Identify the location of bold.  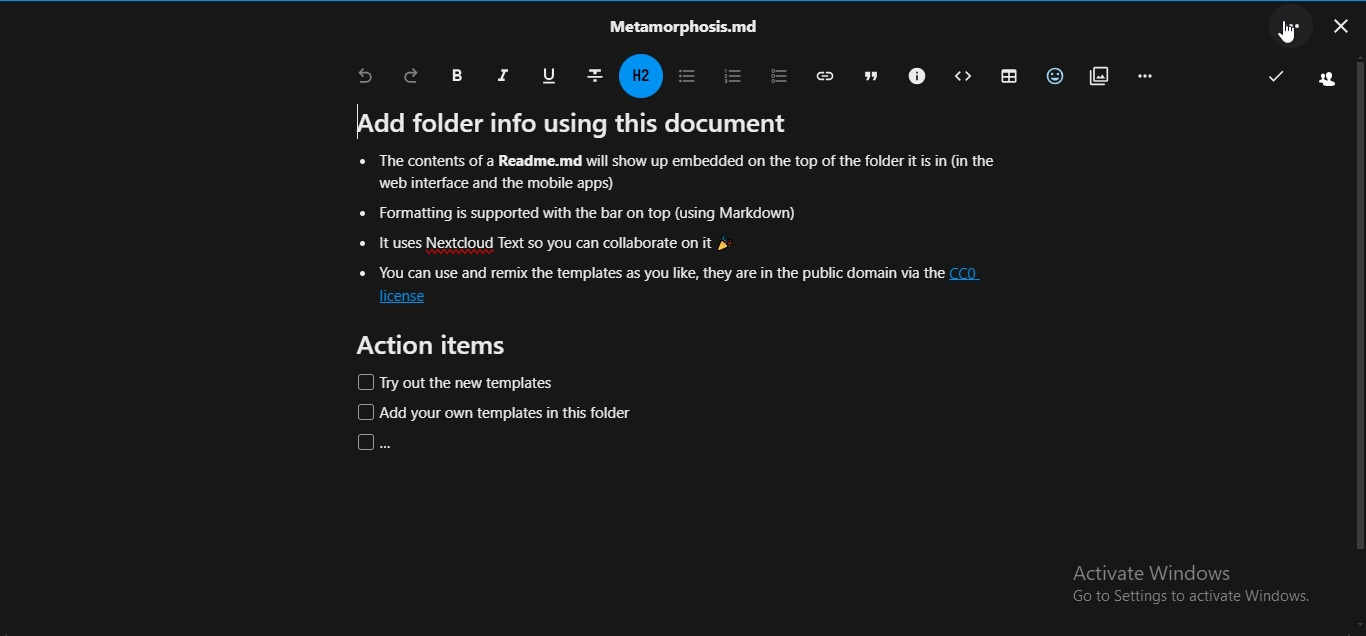
(456, 75).